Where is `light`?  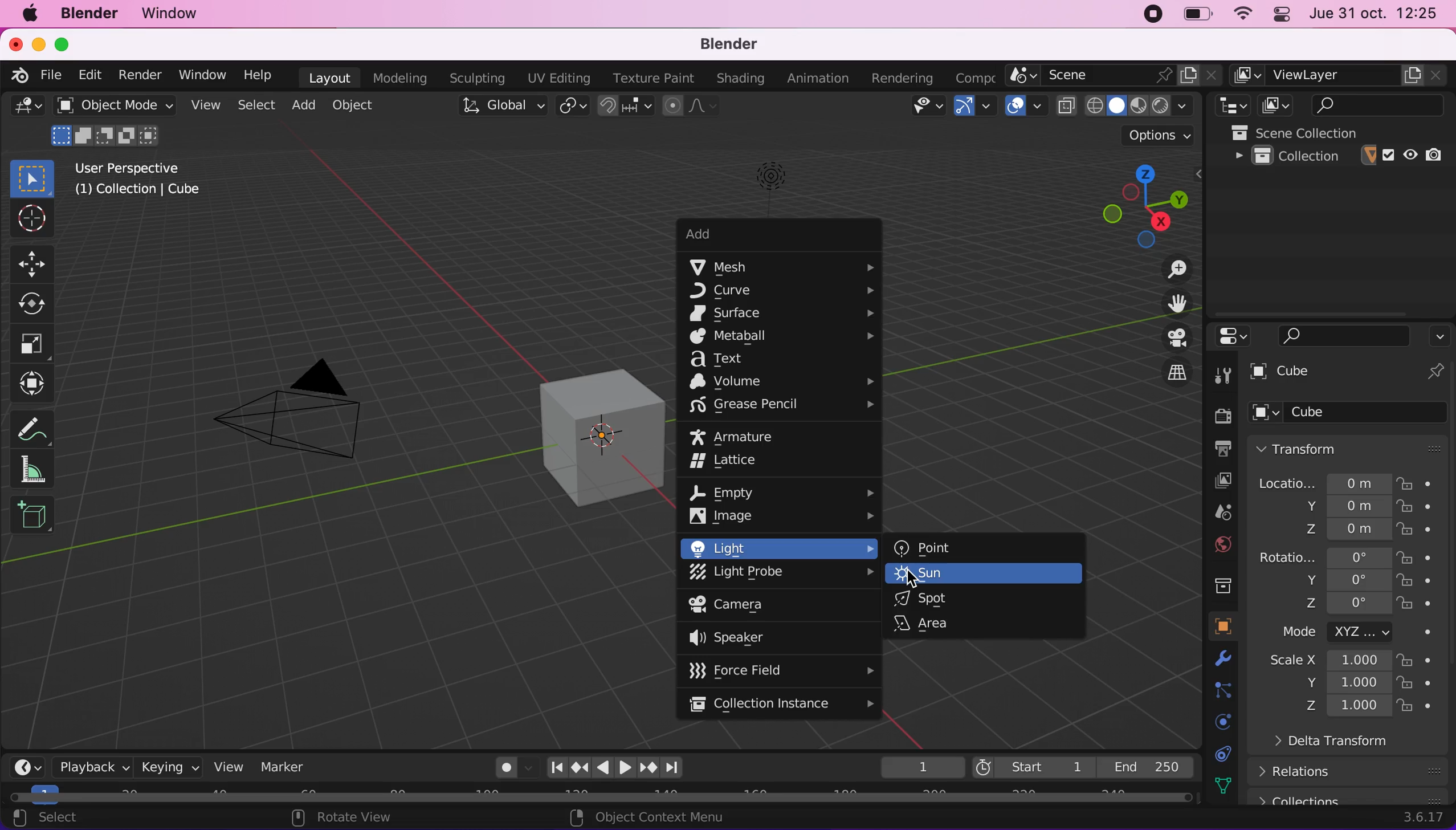
light is located at coordinates (765, 181).